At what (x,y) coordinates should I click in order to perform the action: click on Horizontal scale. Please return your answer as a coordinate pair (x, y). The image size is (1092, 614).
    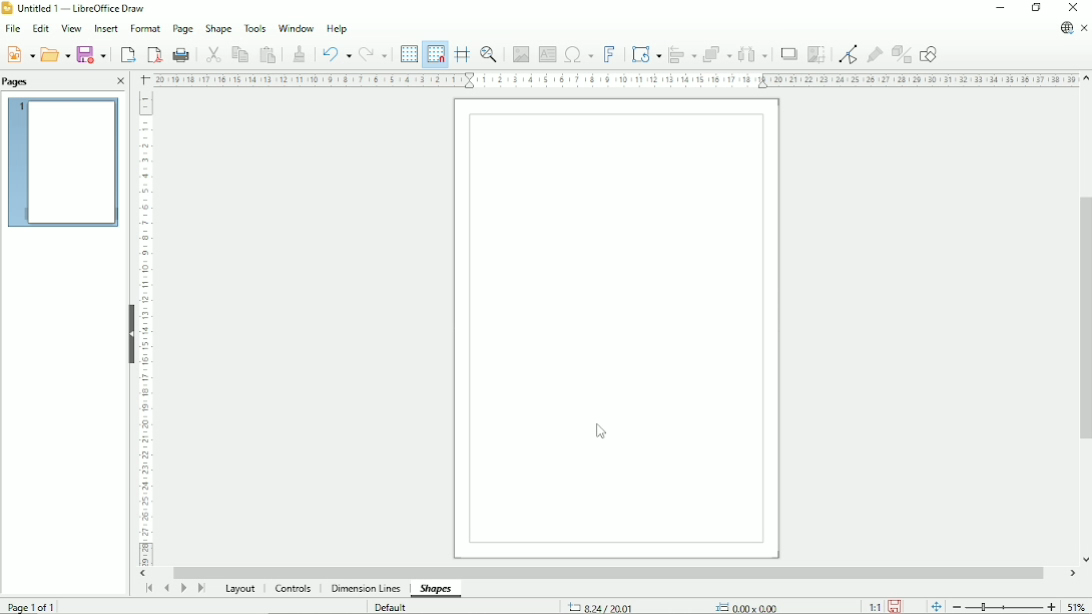
    Looking at the image, I should click on (613, 80).